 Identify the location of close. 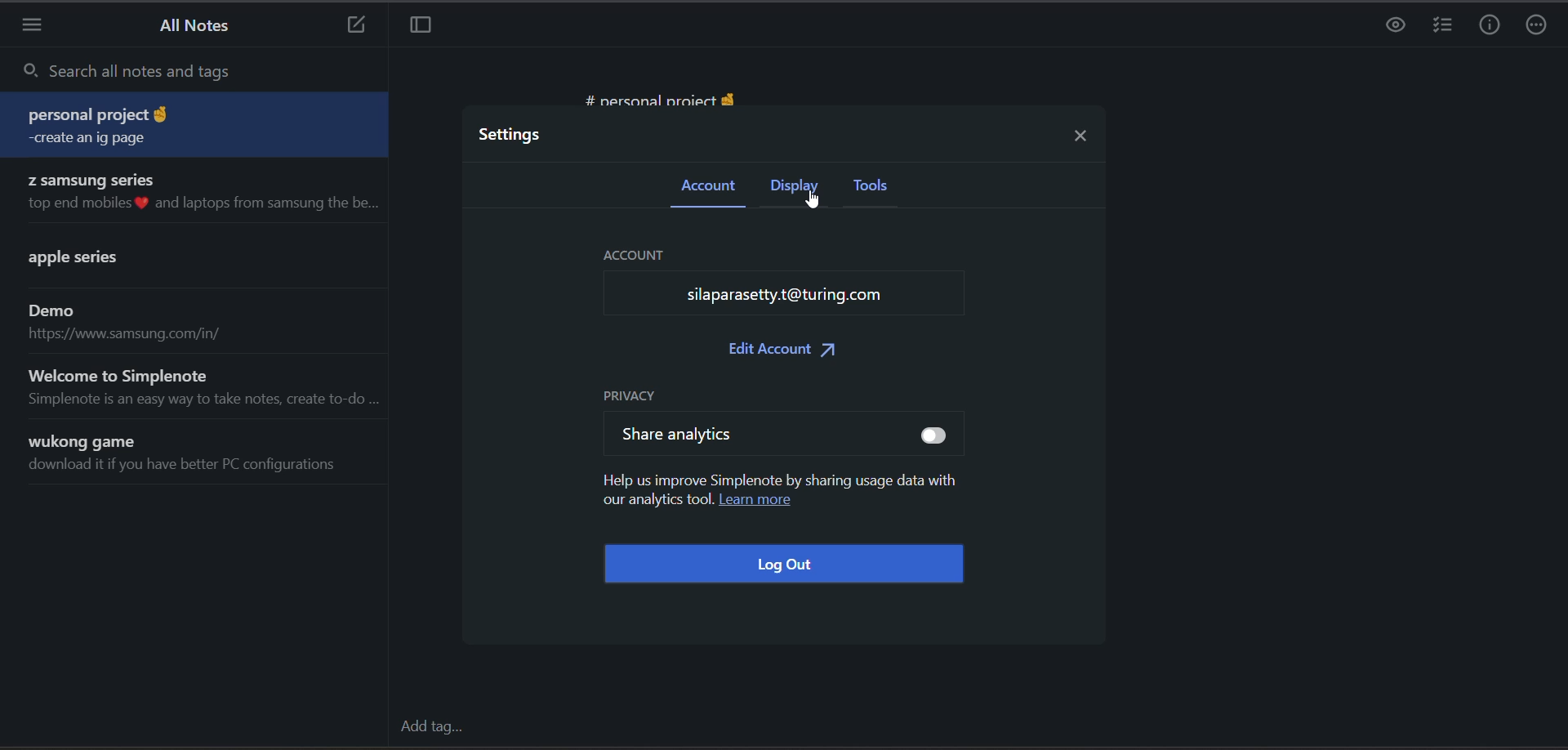
(1076, 136).